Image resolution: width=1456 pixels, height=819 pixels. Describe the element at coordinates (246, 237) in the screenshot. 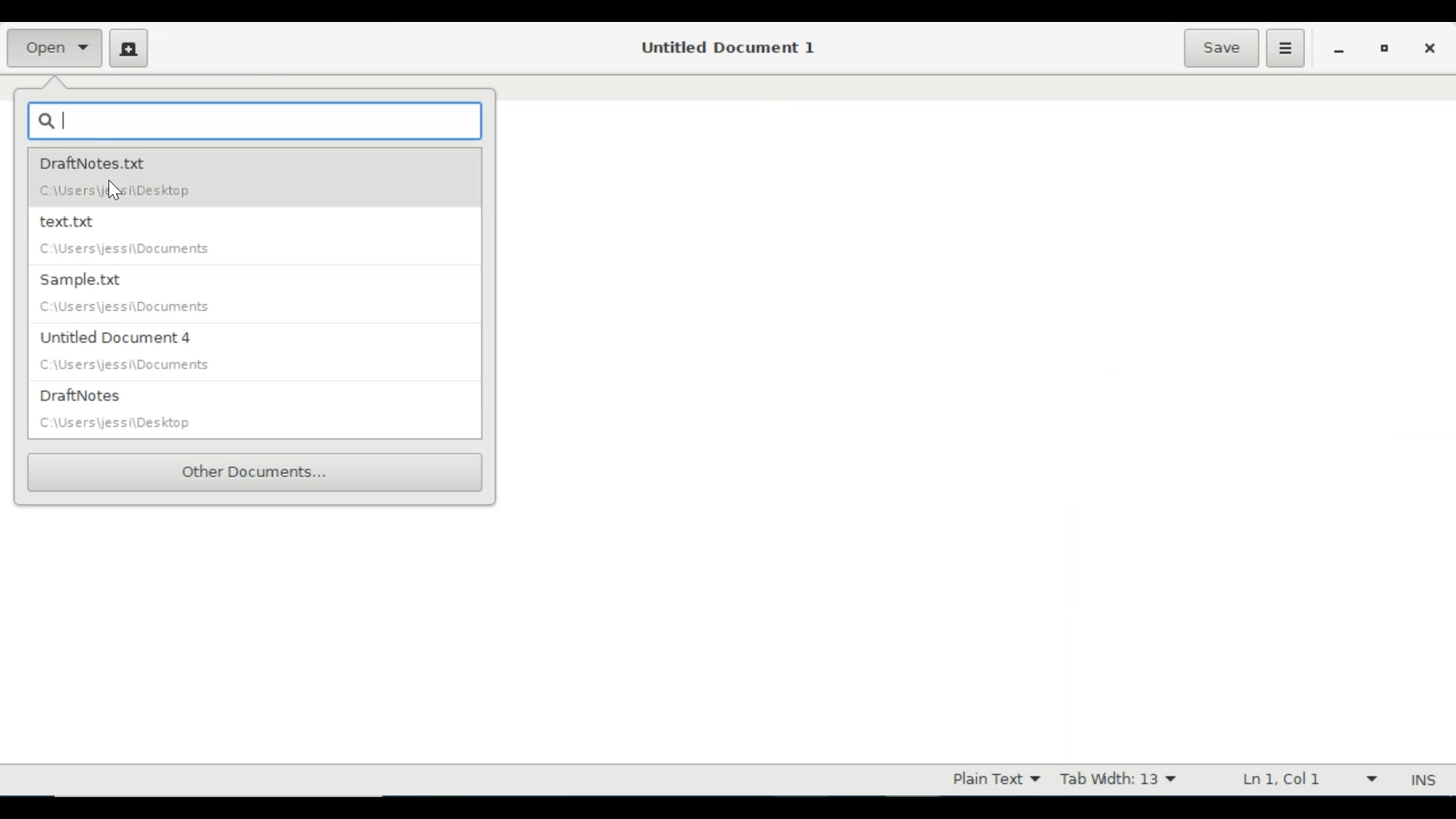

I see `text.txt` at that location.